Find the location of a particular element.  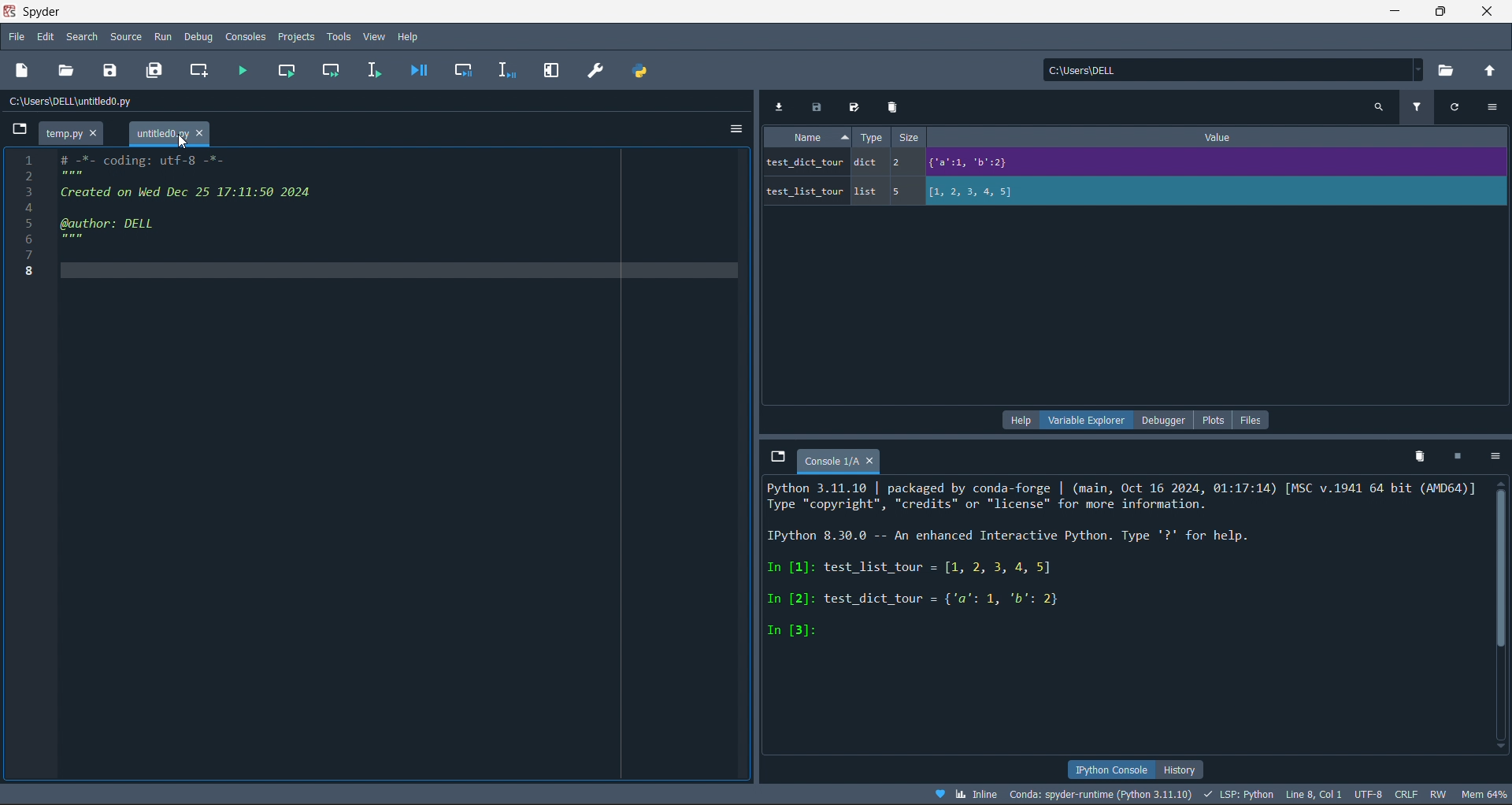

remove all variables is located at coordinates (1417, 455).